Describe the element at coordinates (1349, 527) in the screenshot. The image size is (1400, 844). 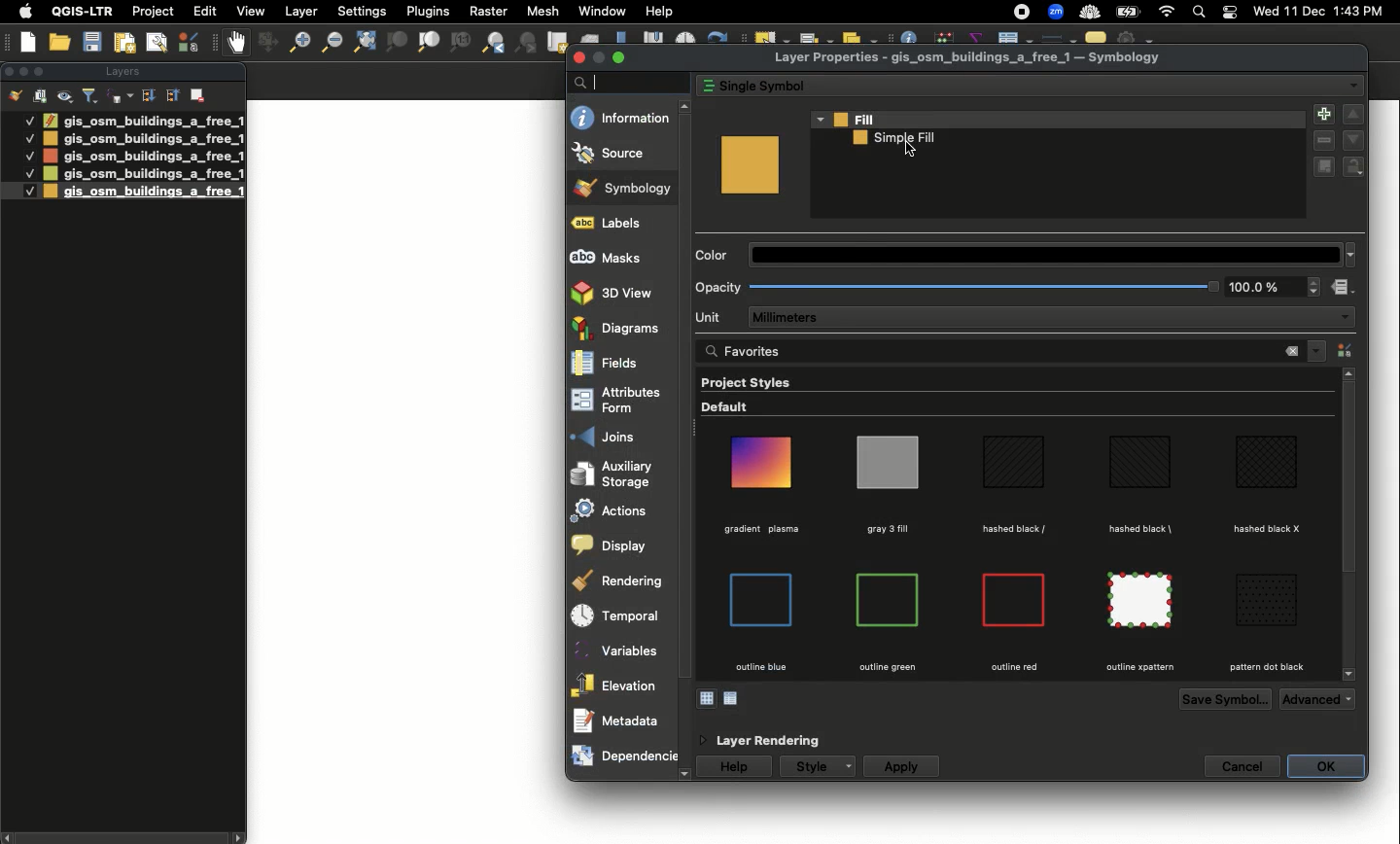
I see `Scroll` at that location.